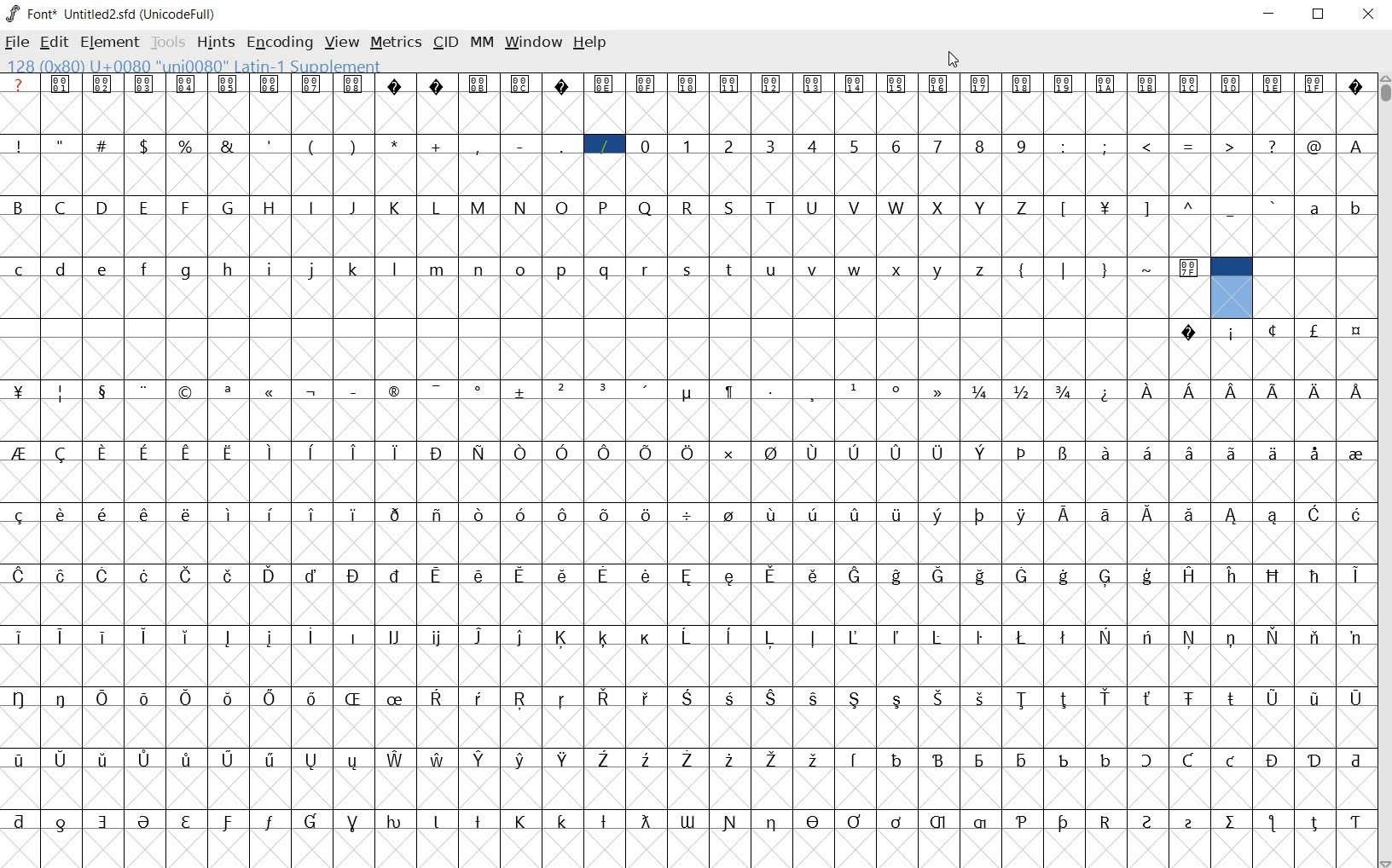 The width and height of the screenshot is (1392, 868). I want to click on >, so click(1232, 145).